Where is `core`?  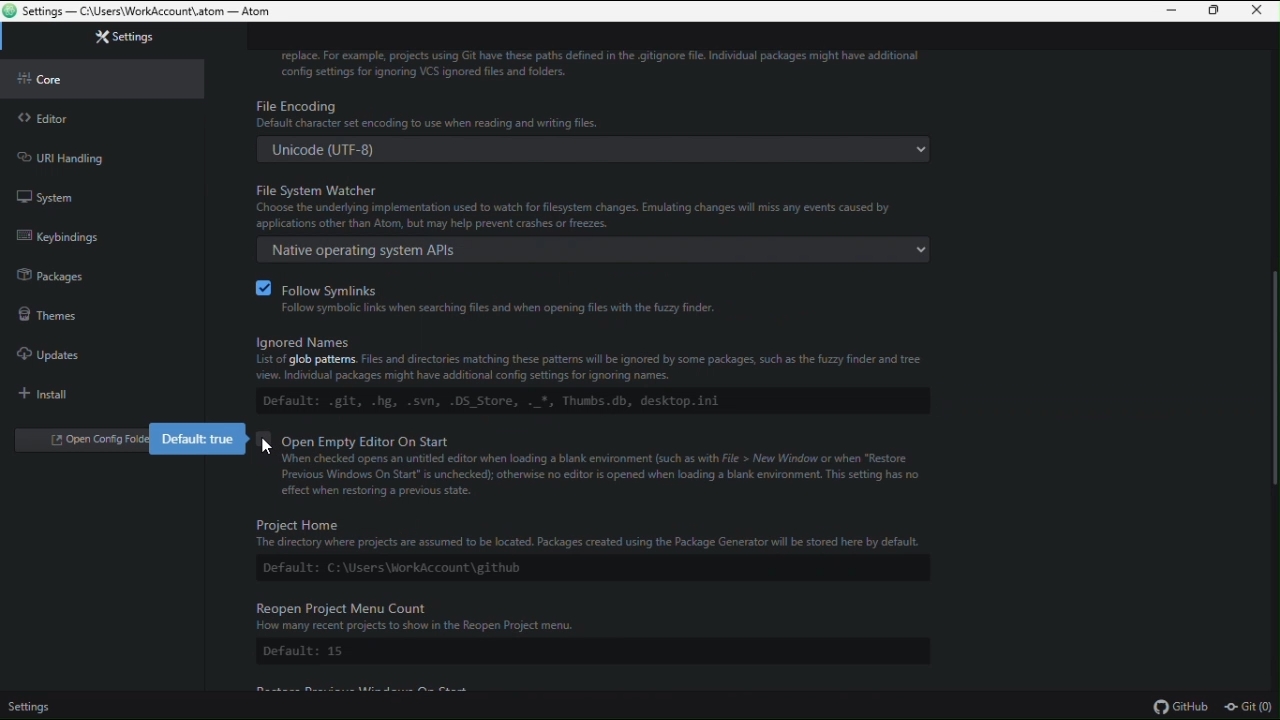 core is located at coordinates (102, 81).